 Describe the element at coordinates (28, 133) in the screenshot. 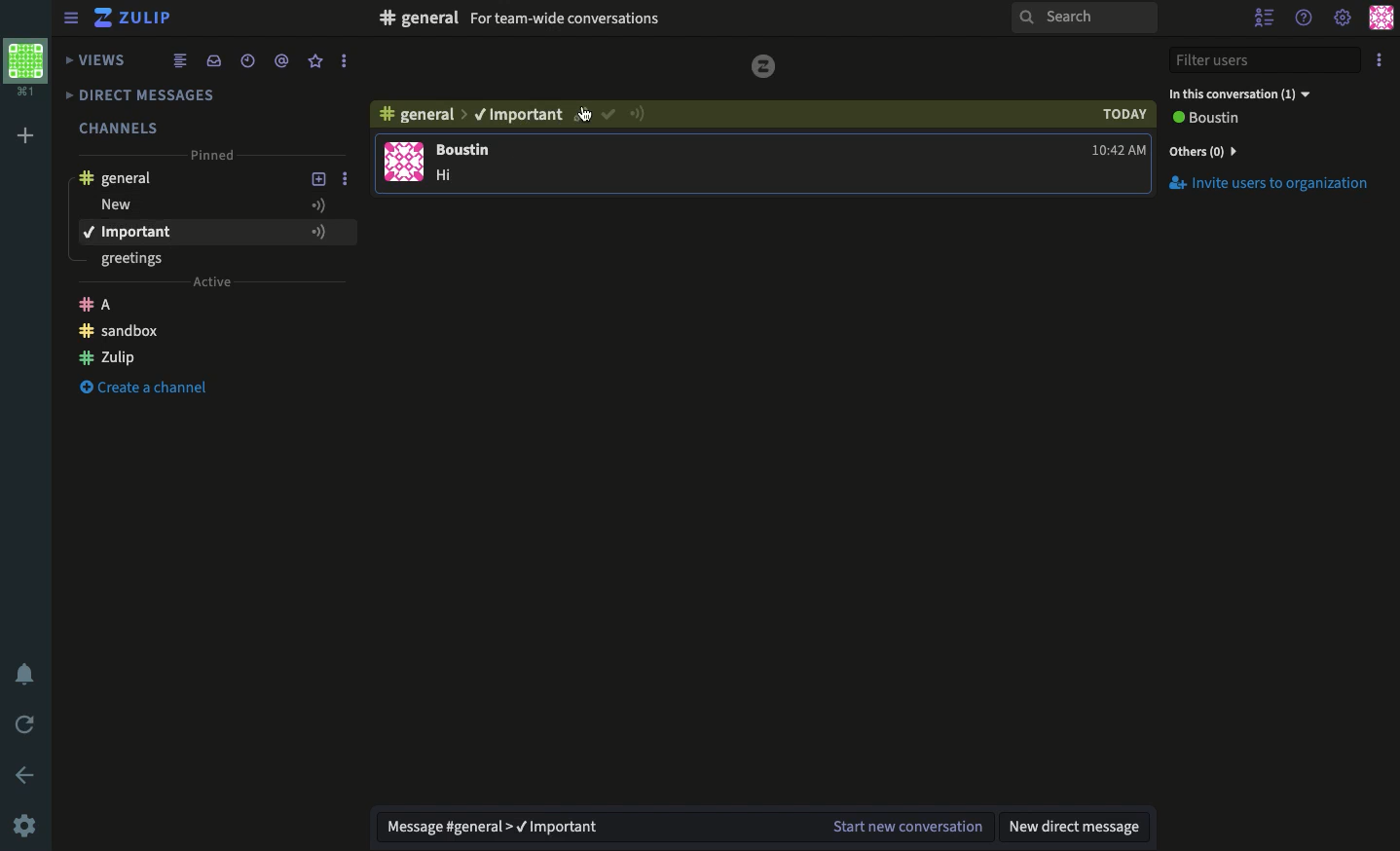

I see `Add` at that location.